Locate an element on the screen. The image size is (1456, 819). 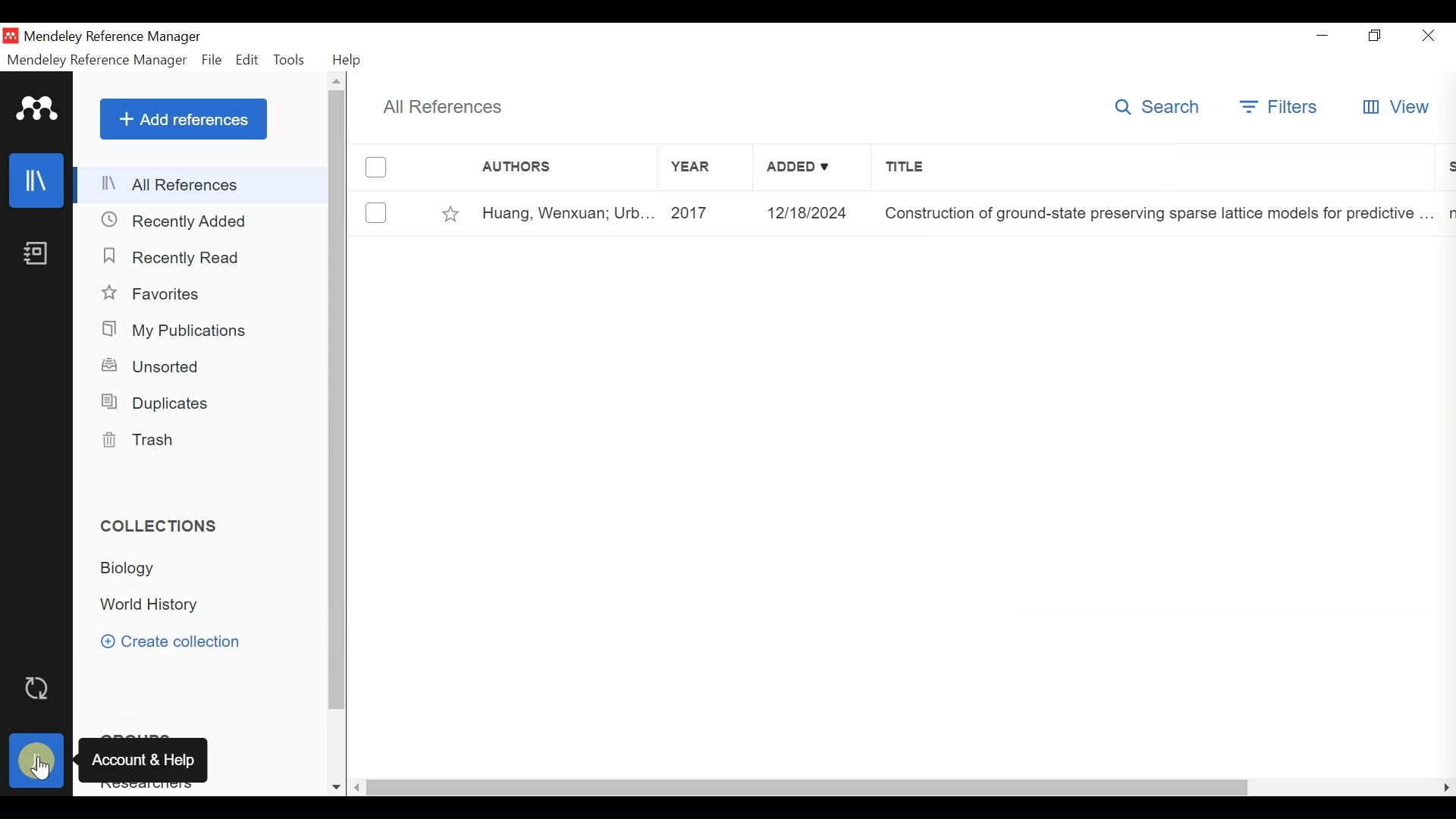
Mendeley Reference Manager is located at coordinates (121, 35).